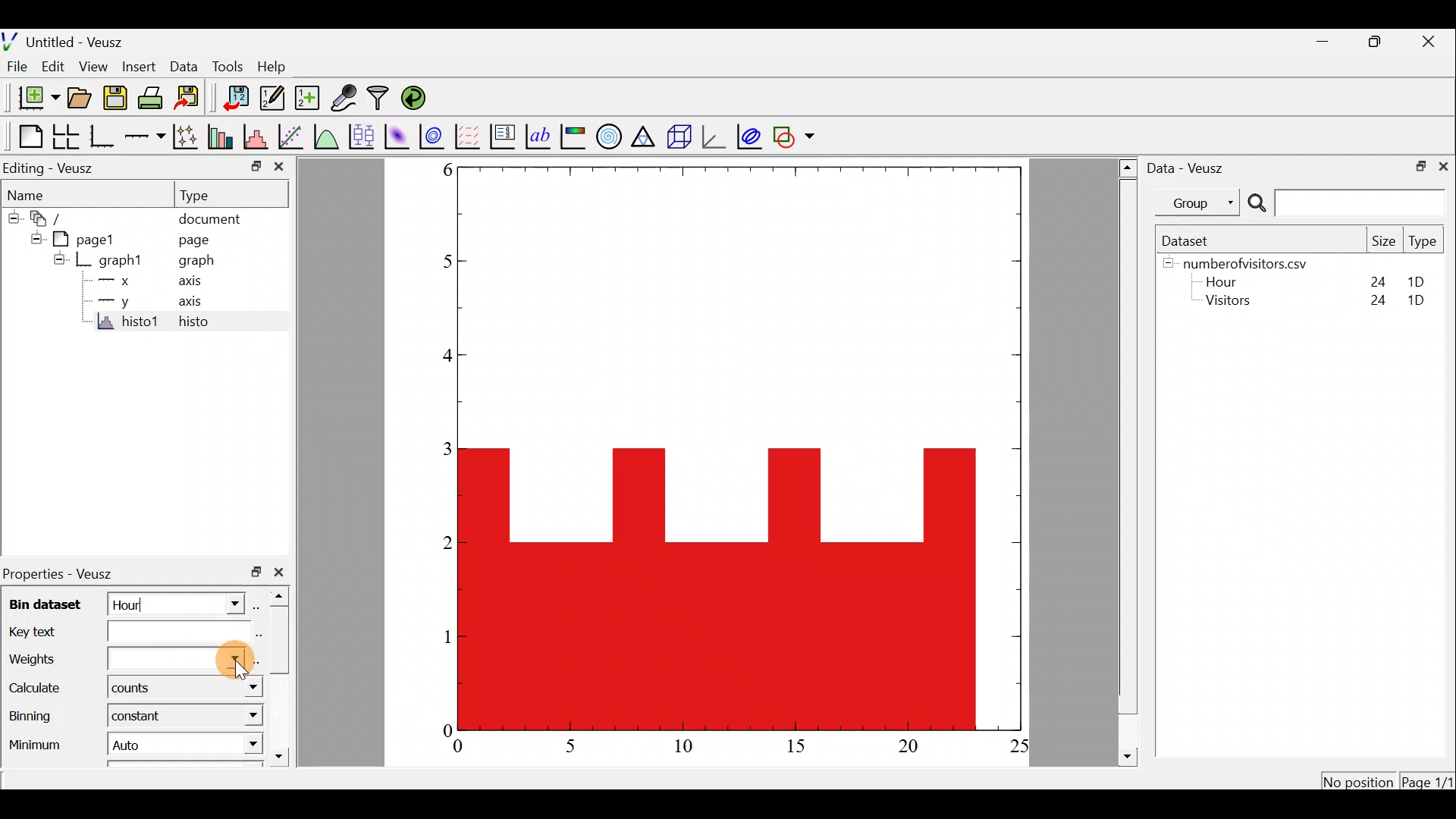  I want to click on new document, so click(35, 99).